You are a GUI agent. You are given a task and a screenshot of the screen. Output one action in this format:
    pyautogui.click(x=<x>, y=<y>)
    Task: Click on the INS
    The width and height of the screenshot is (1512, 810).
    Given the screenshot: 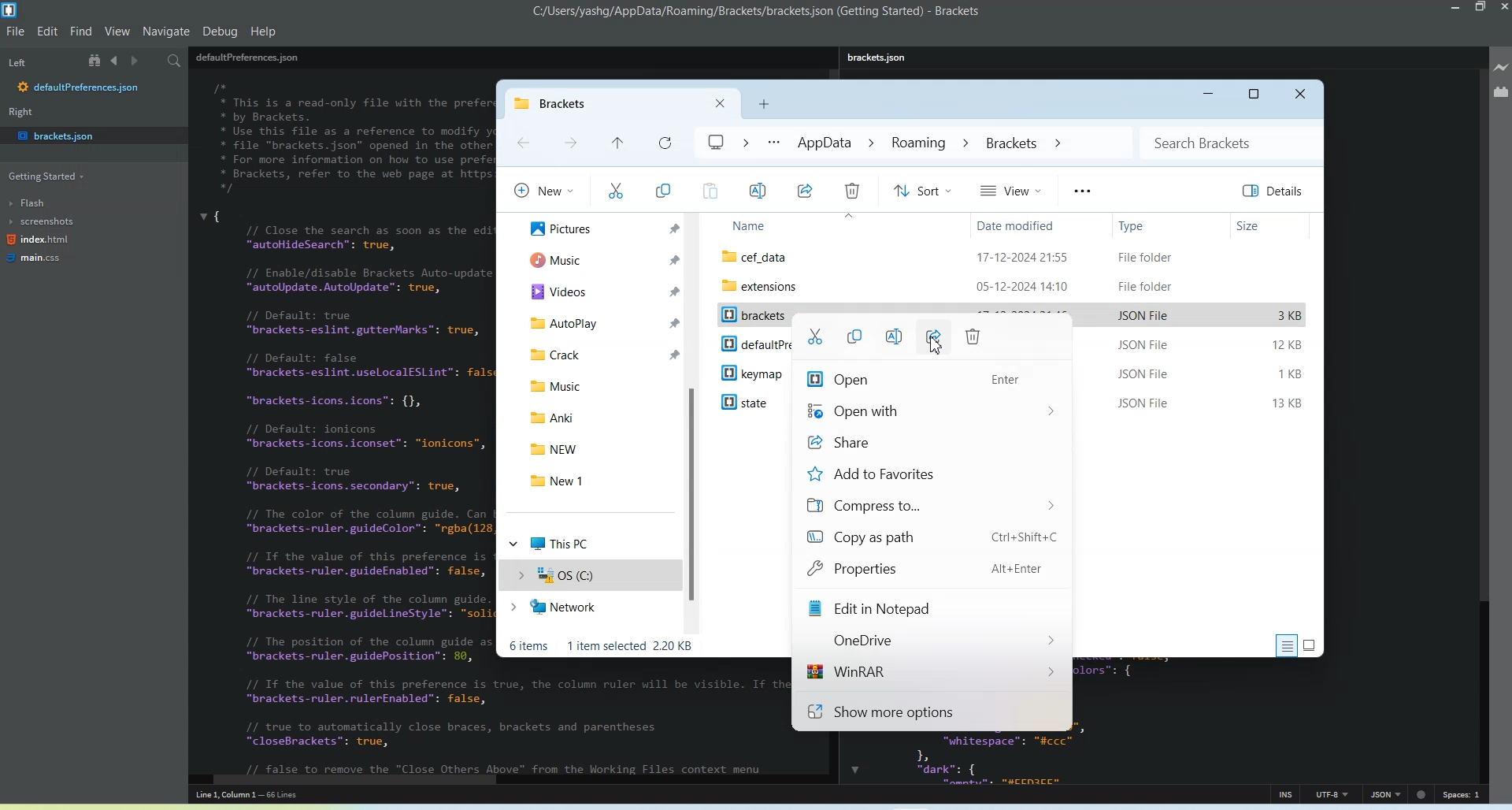 What is the action you would take?
    pyautogui.click(x=1286, y=793)
    